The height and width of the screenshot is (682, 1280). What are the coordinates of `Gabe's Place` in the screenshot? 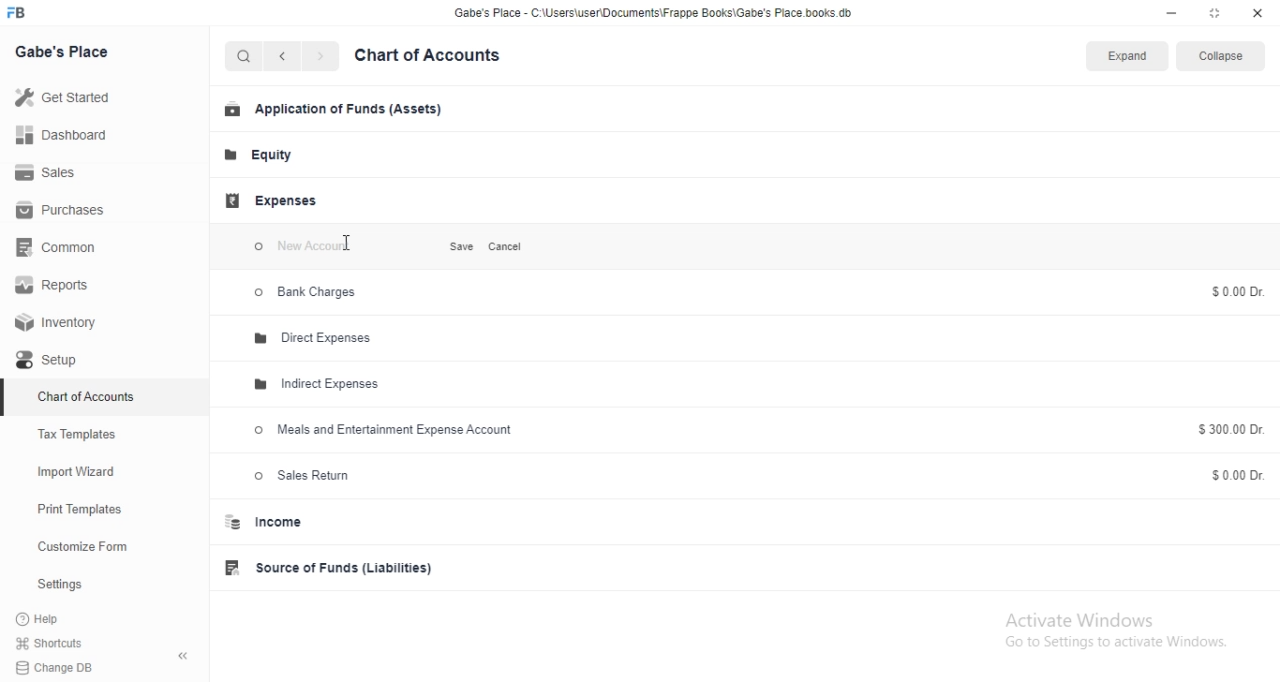 It's located at (70, 57).